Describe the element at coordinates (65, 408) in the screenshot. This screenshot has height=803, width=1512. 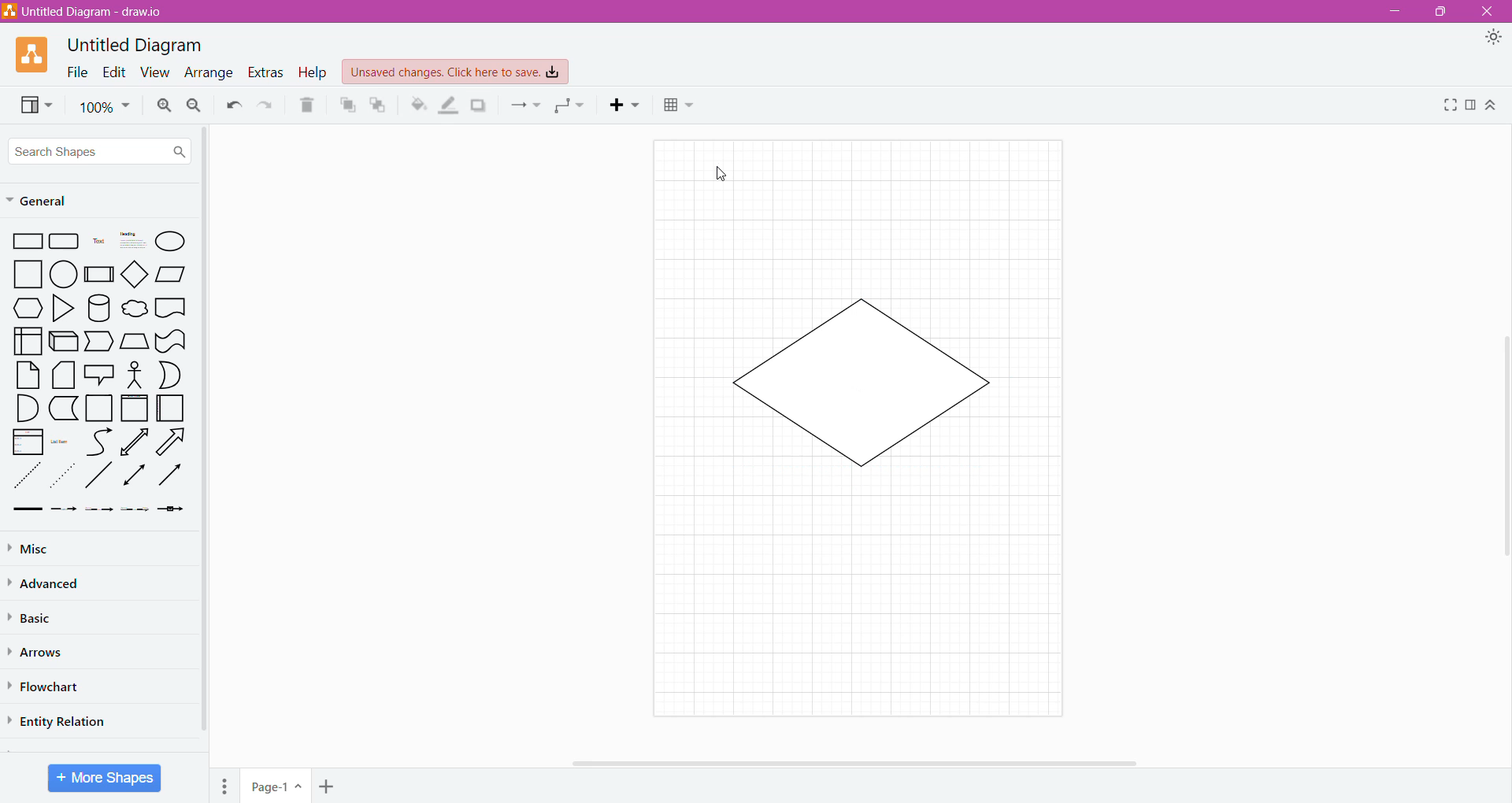
I see `Data Storage` at that location.